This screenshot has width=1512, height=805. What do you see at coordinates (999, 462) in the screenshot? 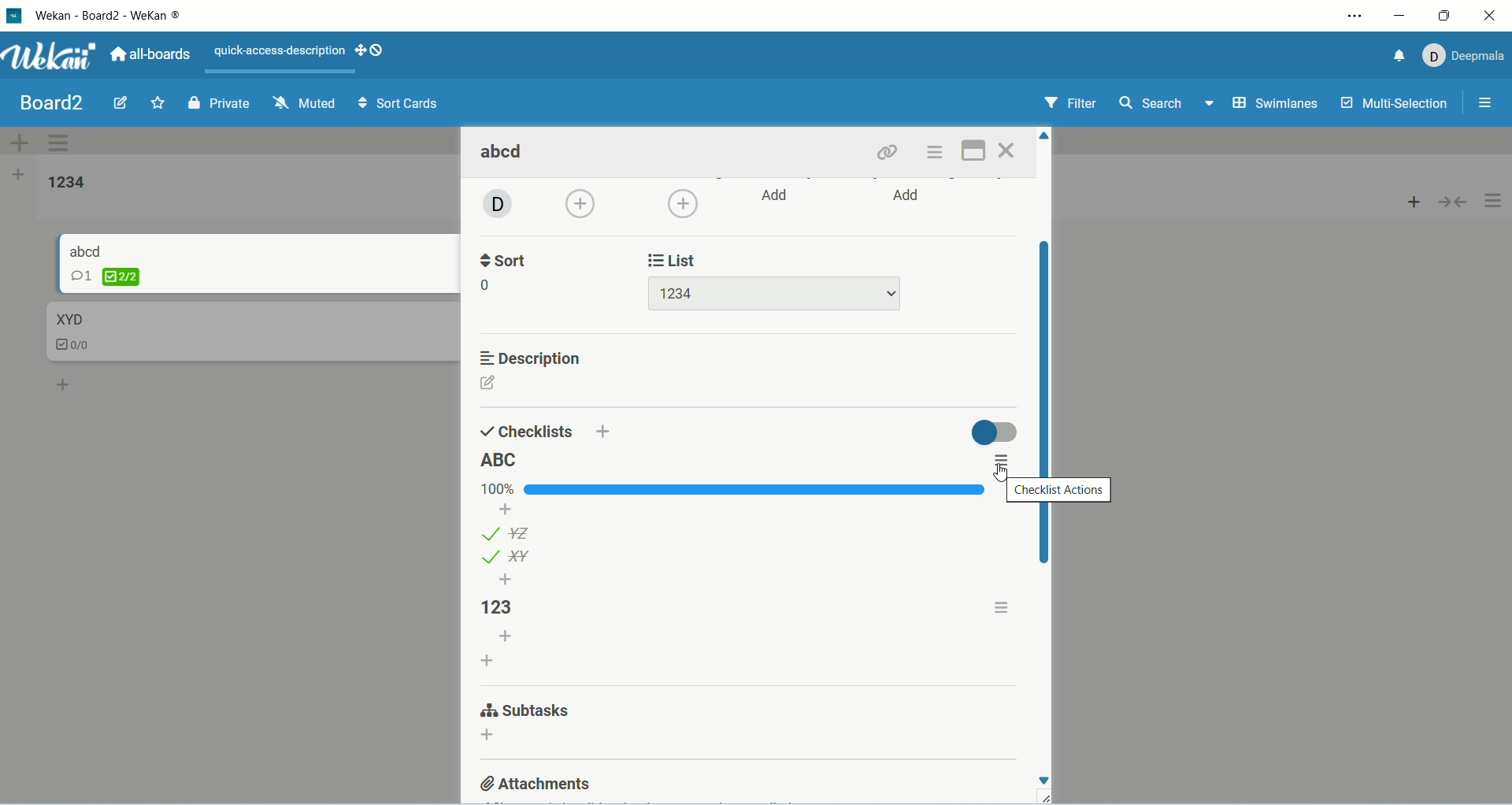
I see `options` at bounding box center [999, 462].